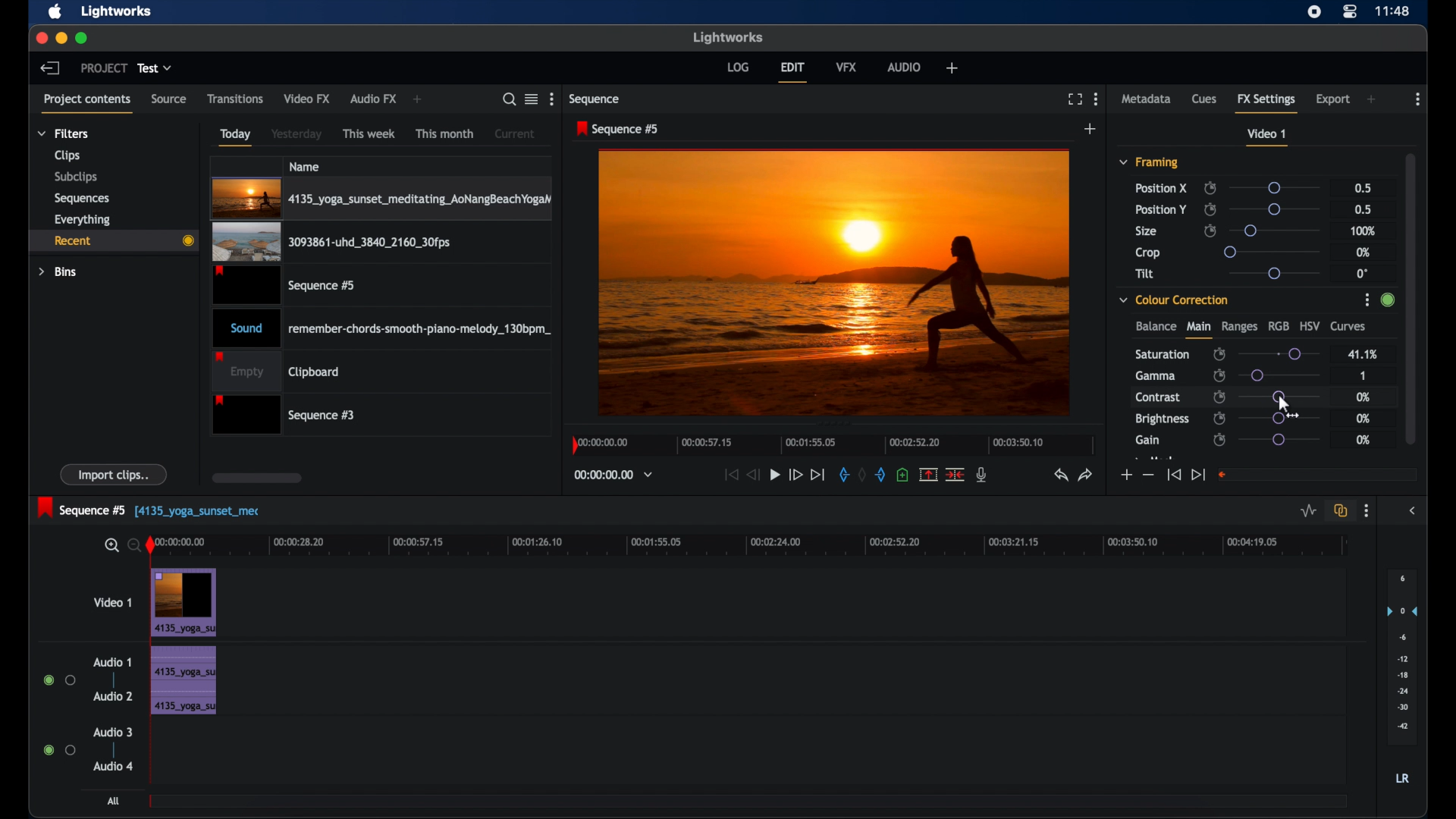 This screenshot has height=819, width=1456. Describe the element at coordinates (1401, 657) in the screenshot. I see `audio output levels` at that location.